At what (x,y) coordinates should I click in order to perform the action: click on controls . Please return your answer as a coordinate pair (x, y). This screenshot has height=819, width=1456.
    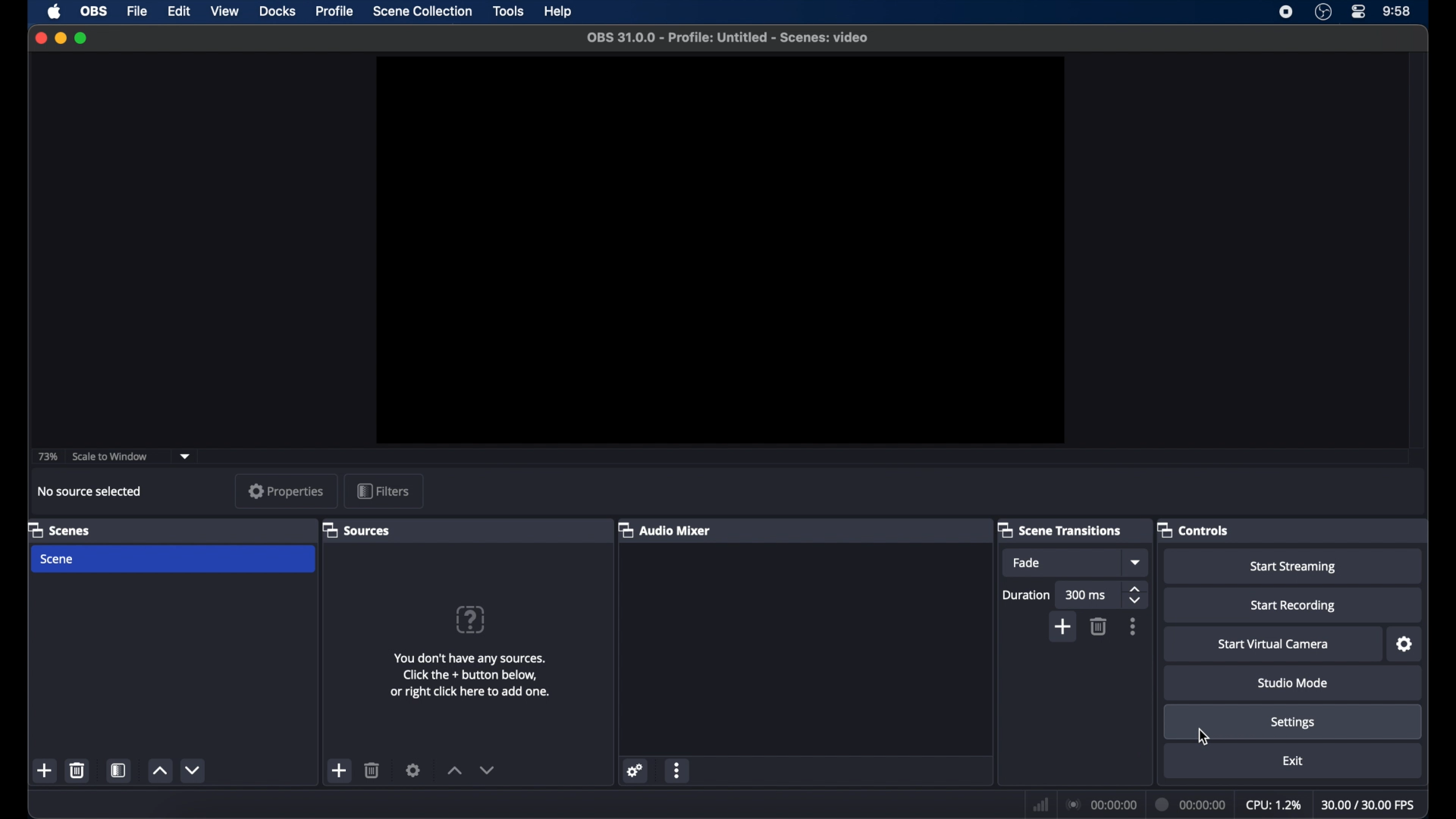
    Looking at the image, I should click on (1194, 529).